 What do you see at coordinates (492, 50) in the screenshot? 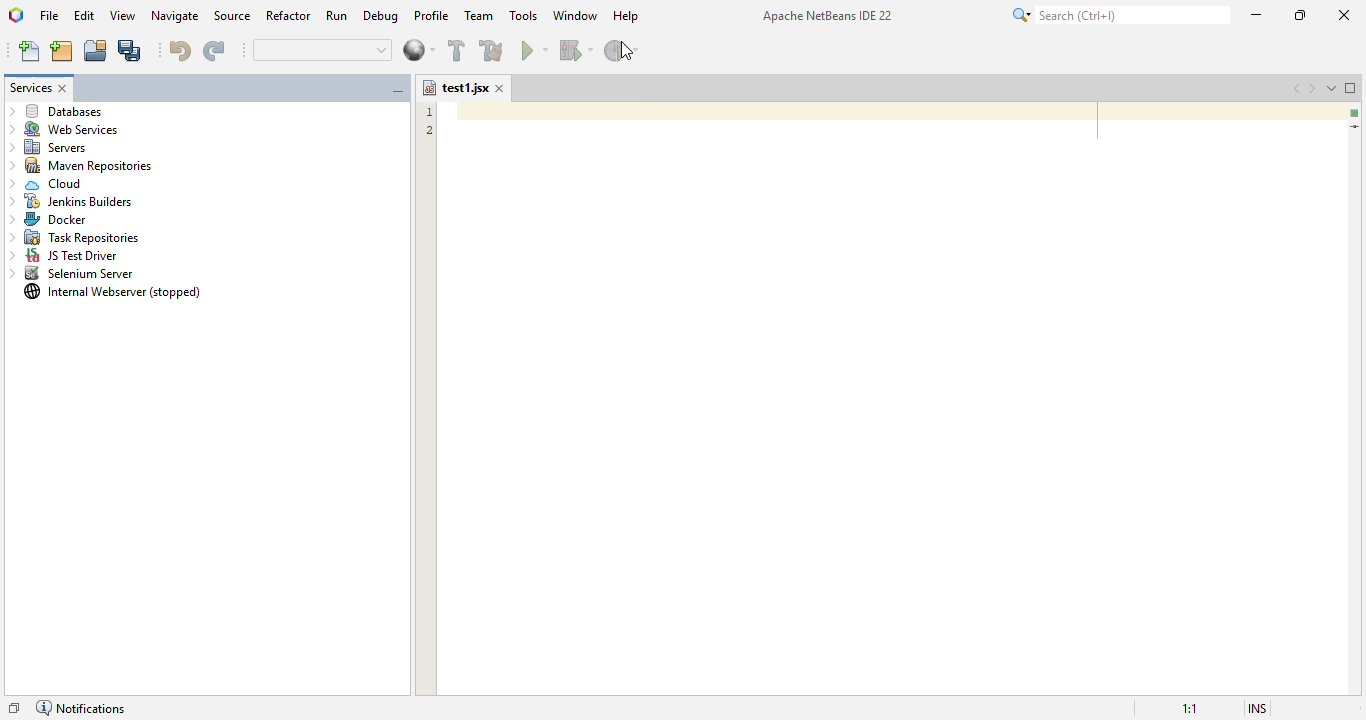
I see `clean and build project` at bounding box center [492, 50].